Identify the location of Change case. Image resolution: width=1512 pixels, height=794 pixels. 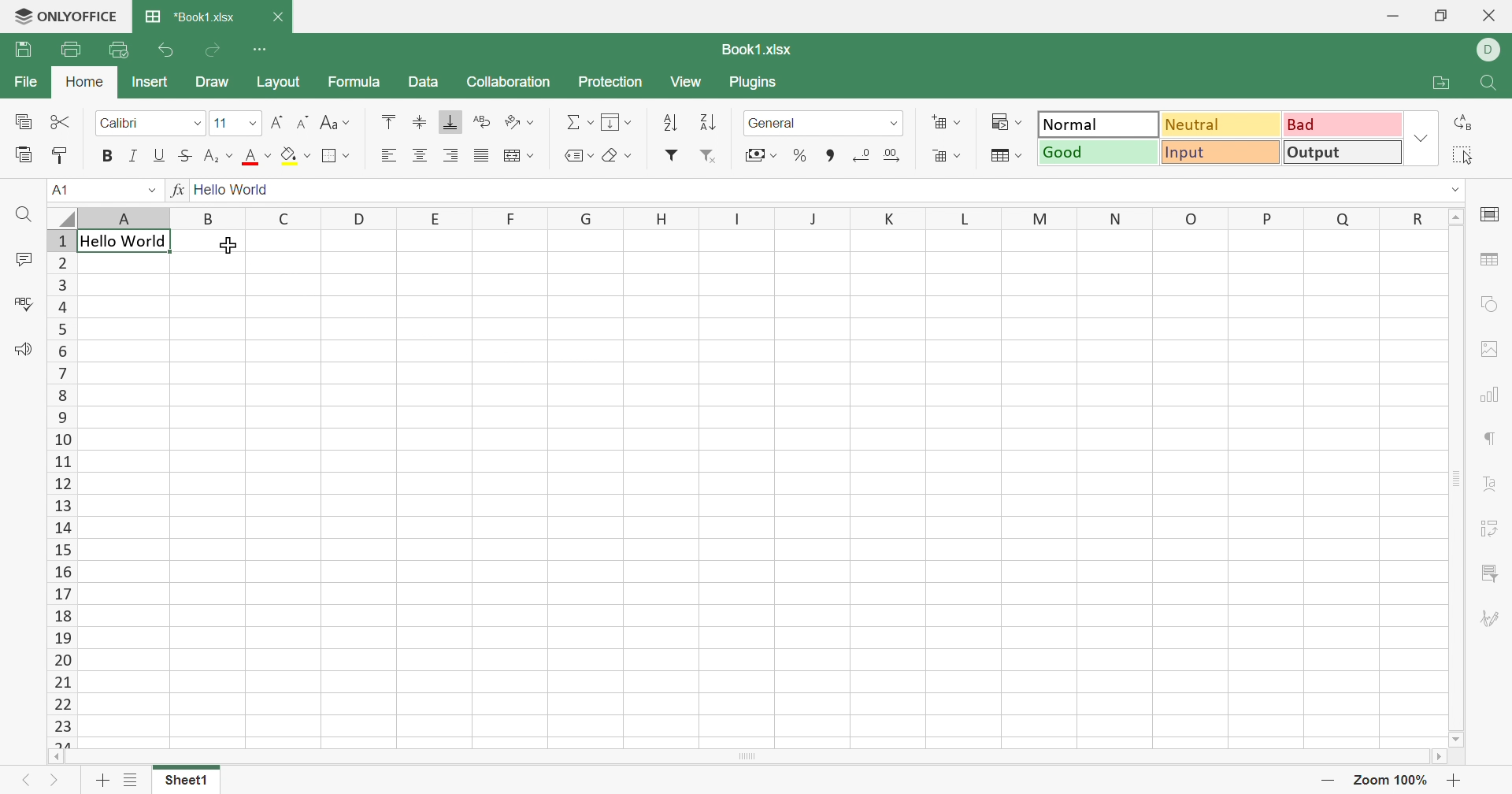
(336, 121).